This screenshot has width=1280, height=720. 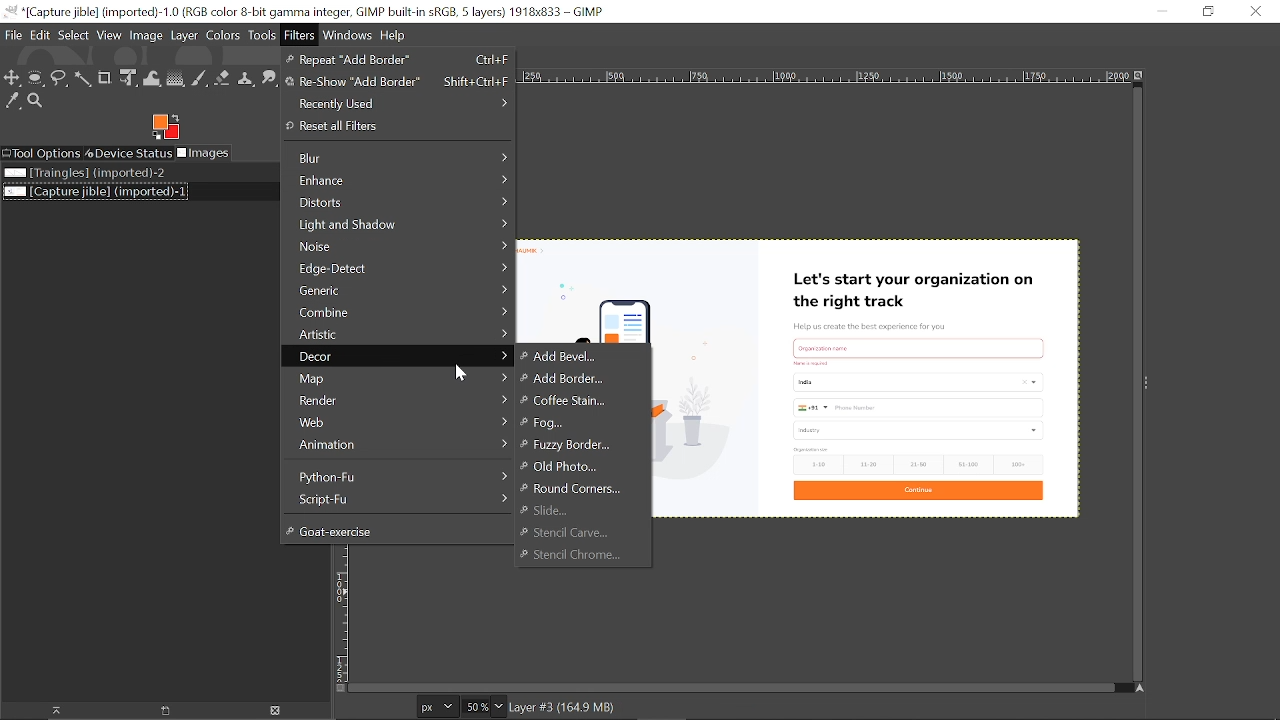 I want to click on Eraser tool, so click(x=225, y=79).